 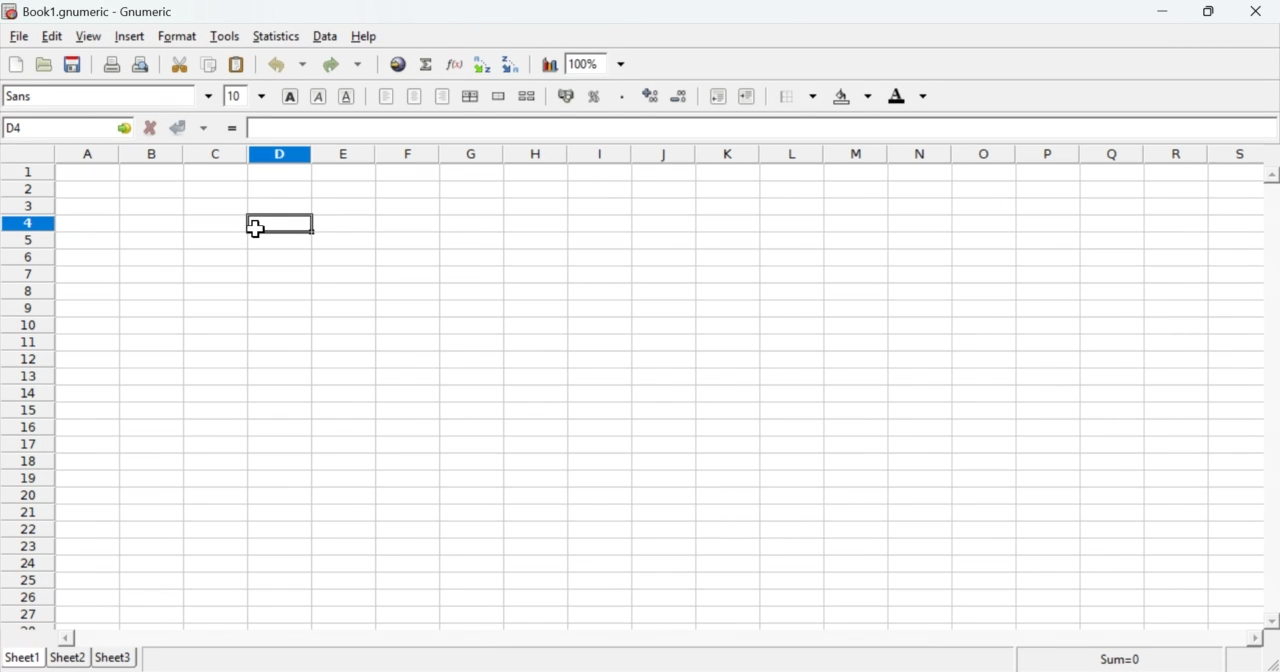 What do you see at coordinates (110, 96) in the screenshot?
I see `Font Style` at bounding box center [110, 96].